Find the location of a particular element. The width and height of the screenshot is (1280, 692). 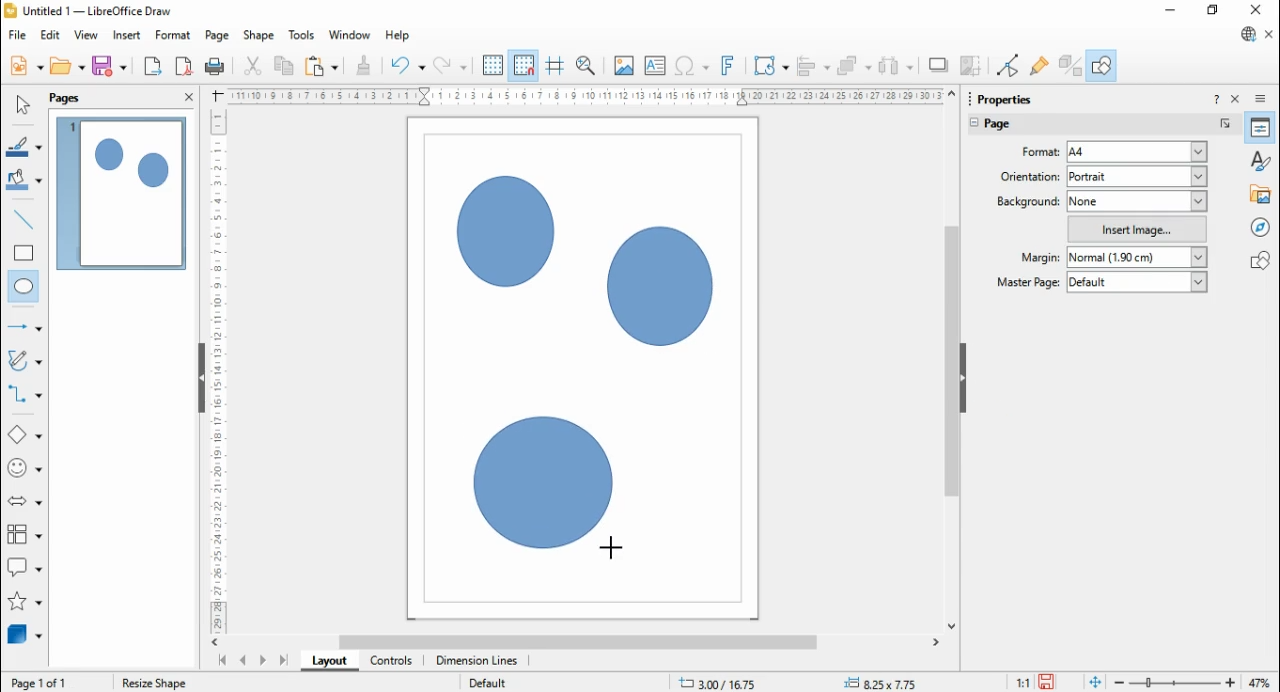

more options is located at coordinates (1226, 124).